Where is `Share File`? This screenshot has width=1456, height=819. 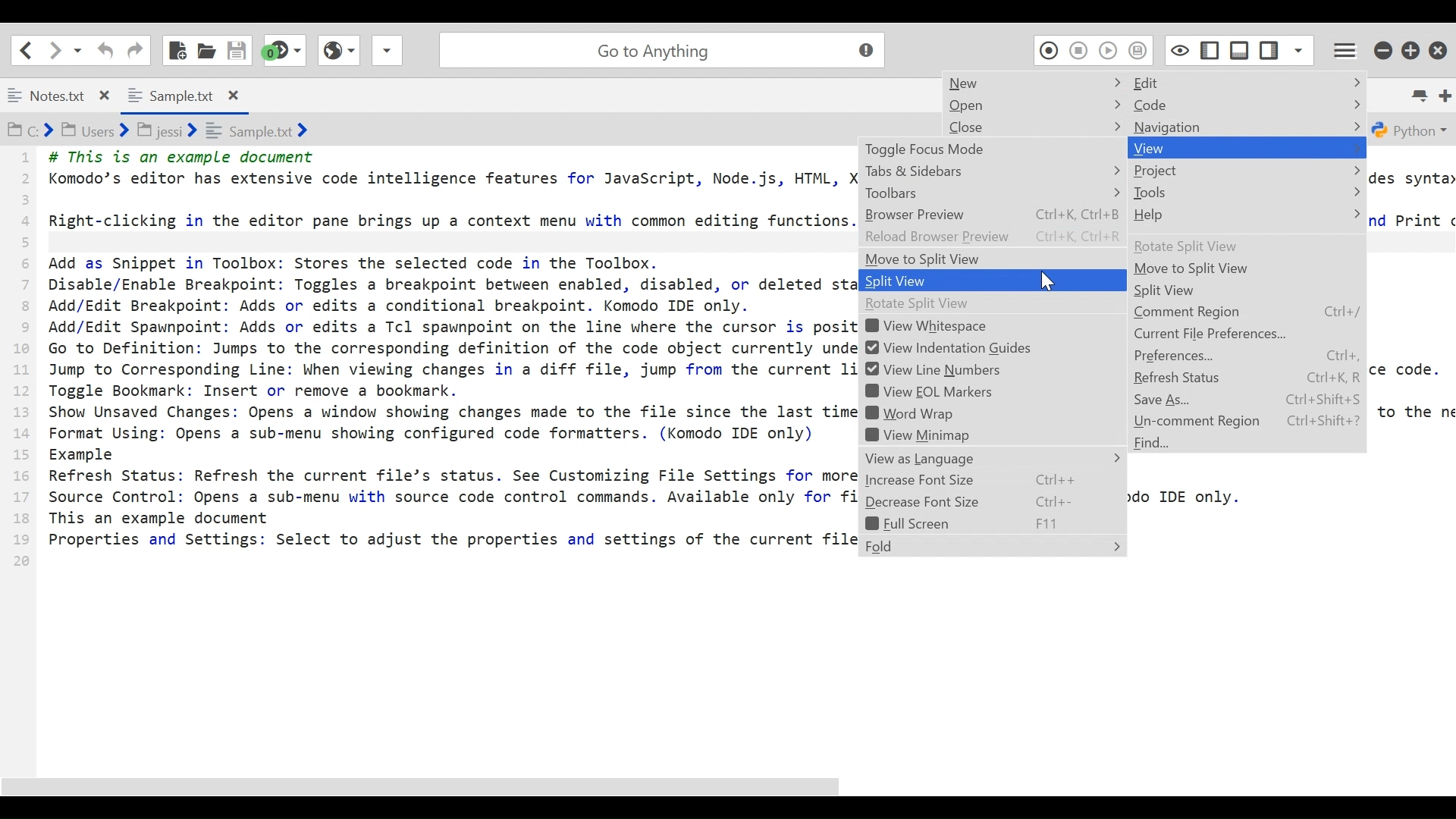 Share File is located at coordinates (385, 50).